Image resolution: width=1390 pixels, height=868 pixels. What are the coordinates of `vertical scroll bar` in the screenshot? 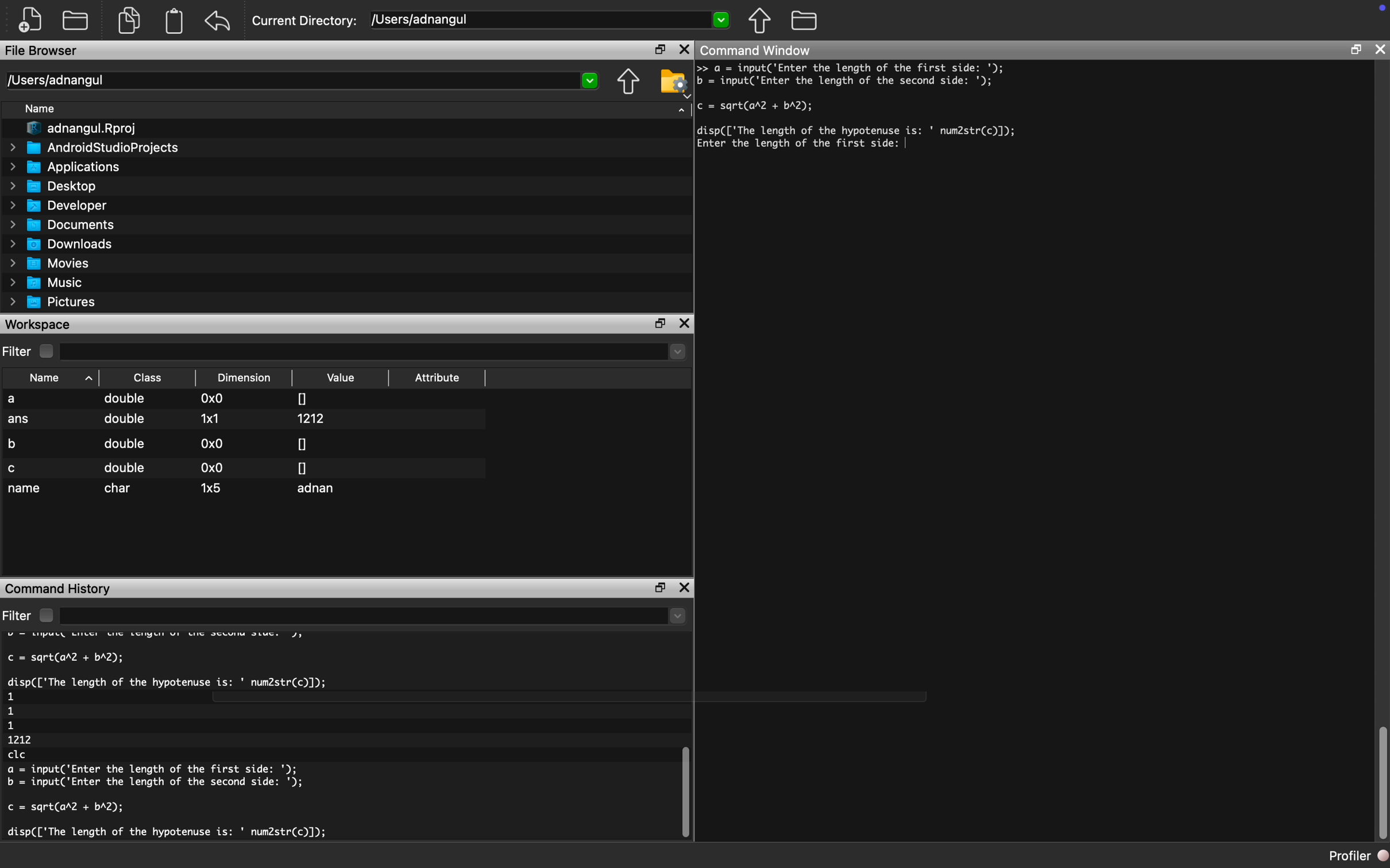 It's located at (682, 781).